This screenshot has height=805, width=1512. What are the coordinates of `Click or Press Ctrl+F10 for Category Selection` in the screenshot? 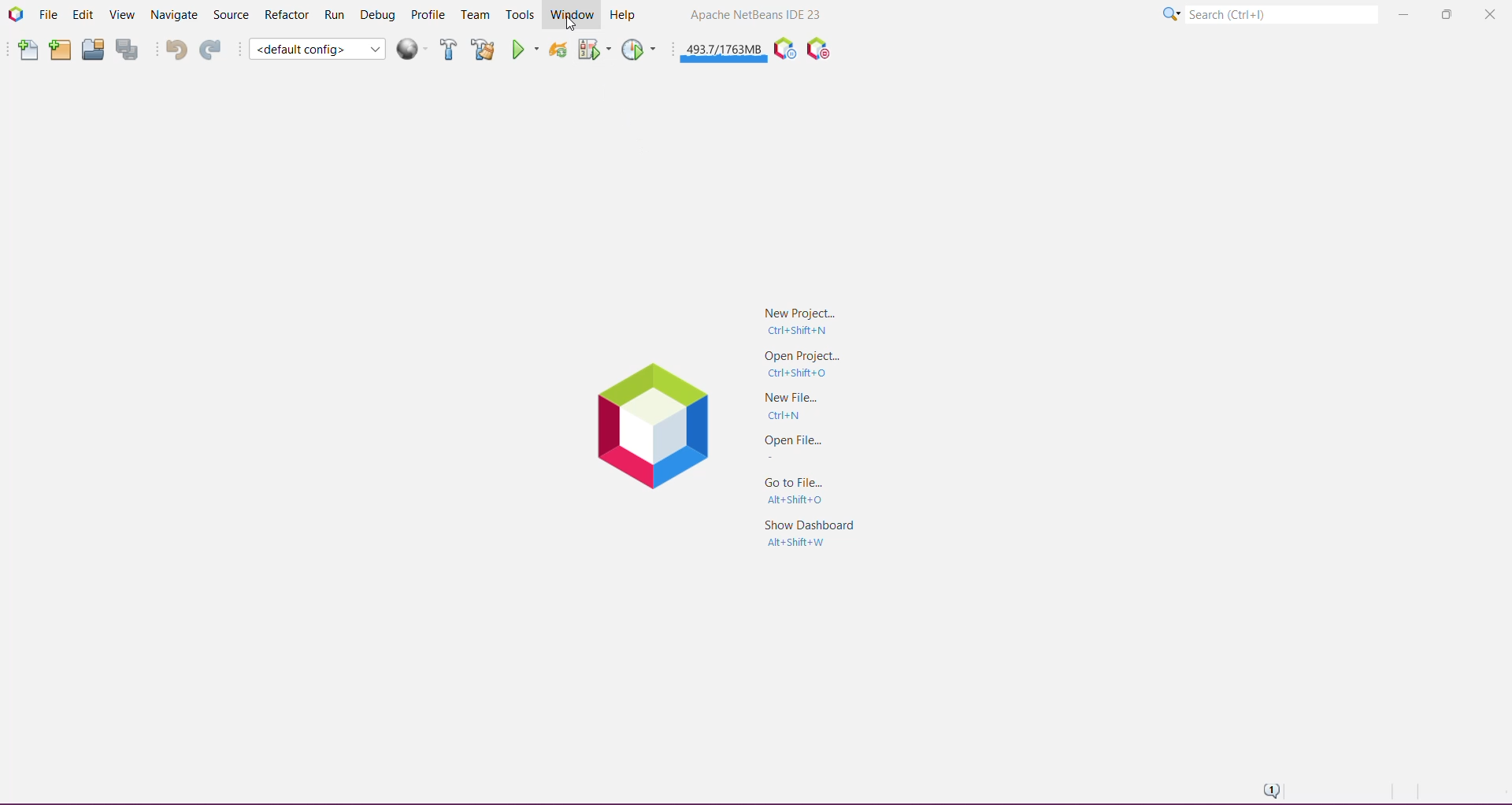 It's located at (1171, 15).